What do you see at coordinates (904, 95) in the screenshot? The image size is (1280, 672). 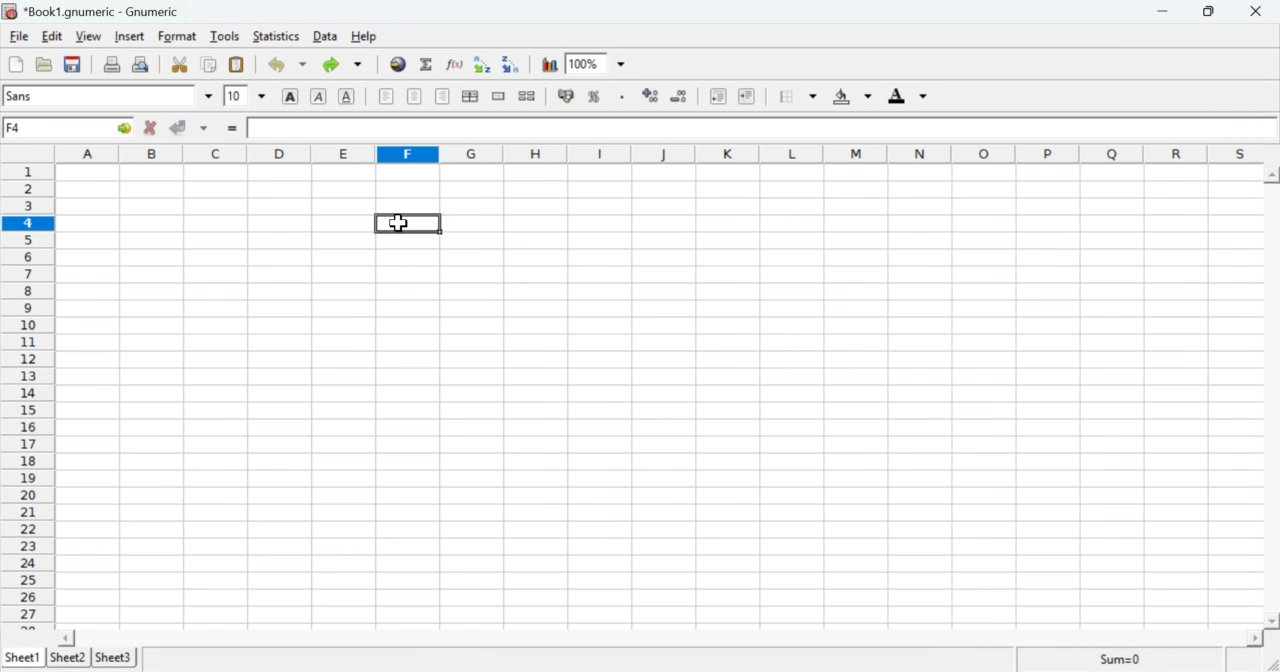 I see `Foreground` at bounding box center [904, 95].